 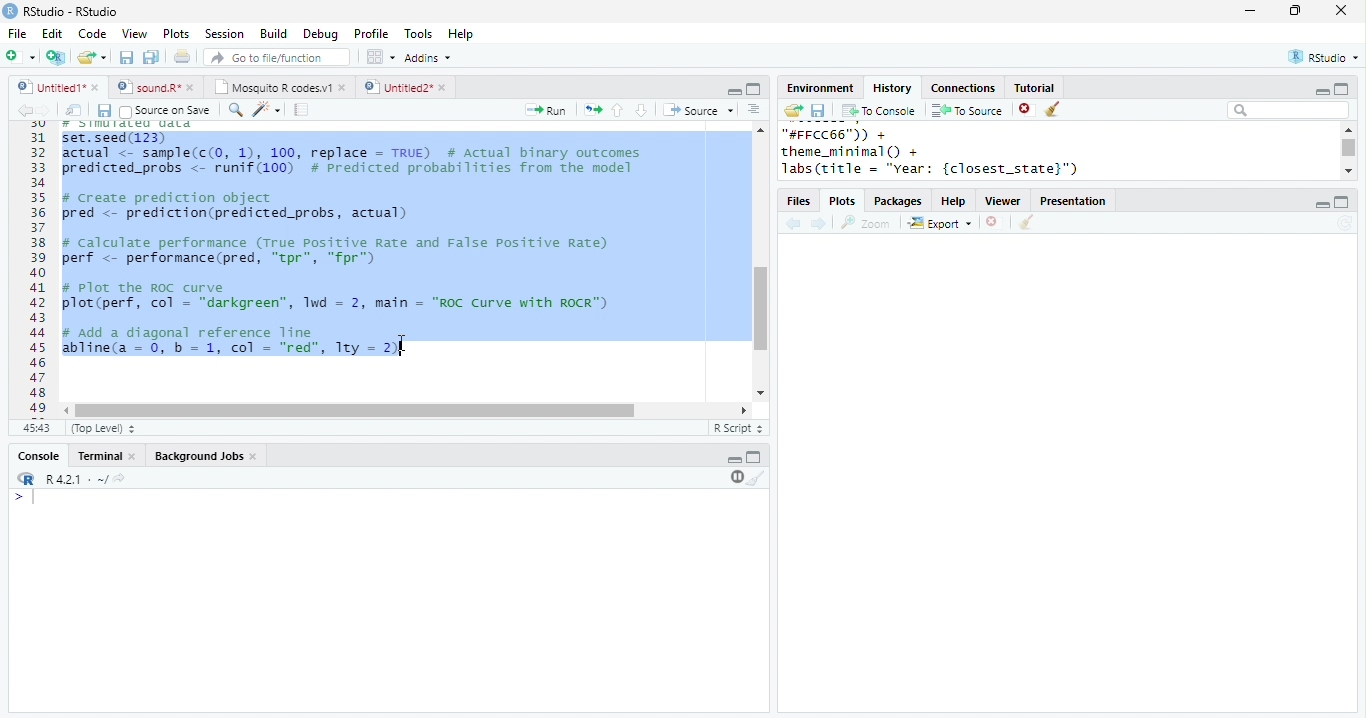 What do you see at coordinates (1026, 223) in the screenshot?
I see `clear` at bounding box center [1026, 223].